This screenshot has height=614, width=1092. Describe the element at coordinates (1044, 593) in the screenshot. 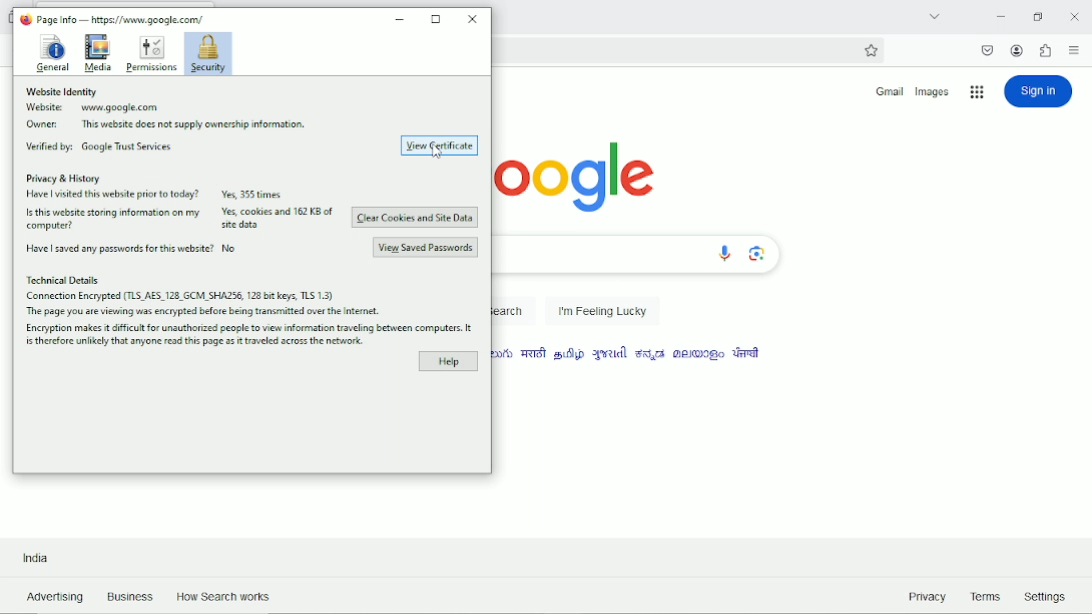

I see `Settings` at that location.